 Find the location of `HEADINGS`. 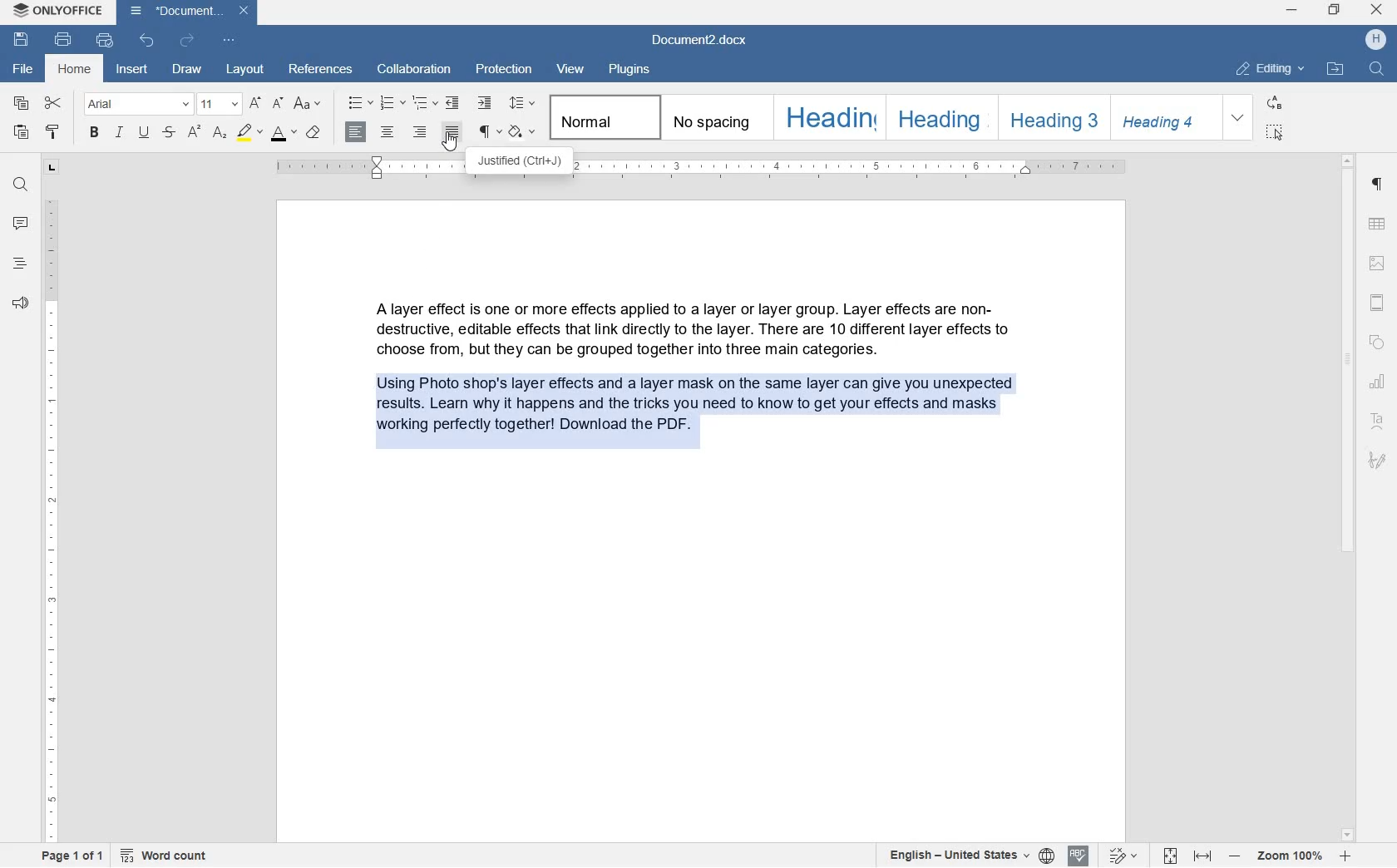

HEADINGS is located at coordinates (20, 264).